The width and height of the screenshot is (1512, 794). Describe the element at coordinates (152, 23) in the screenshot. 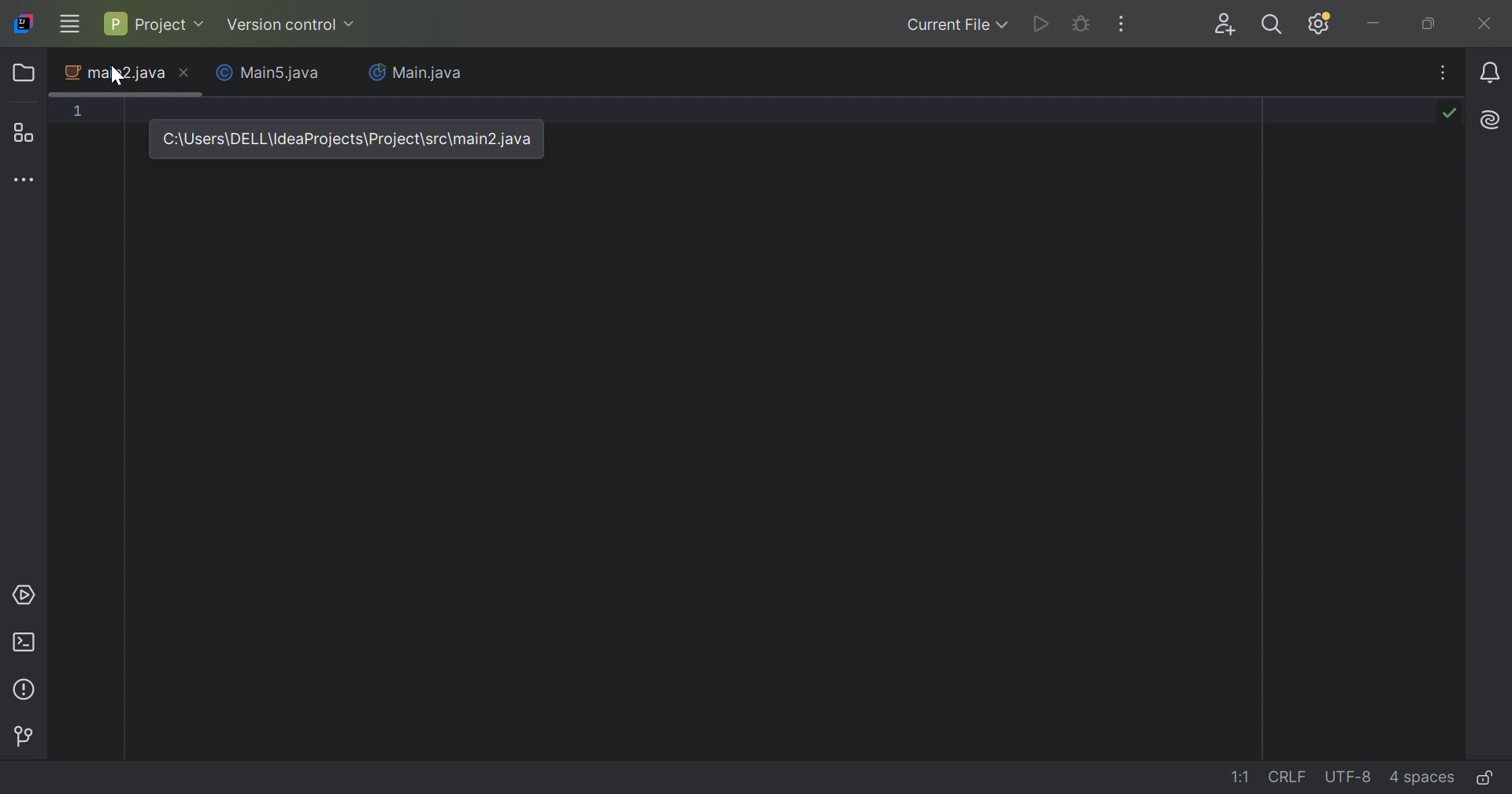

I see `Project` at that location.